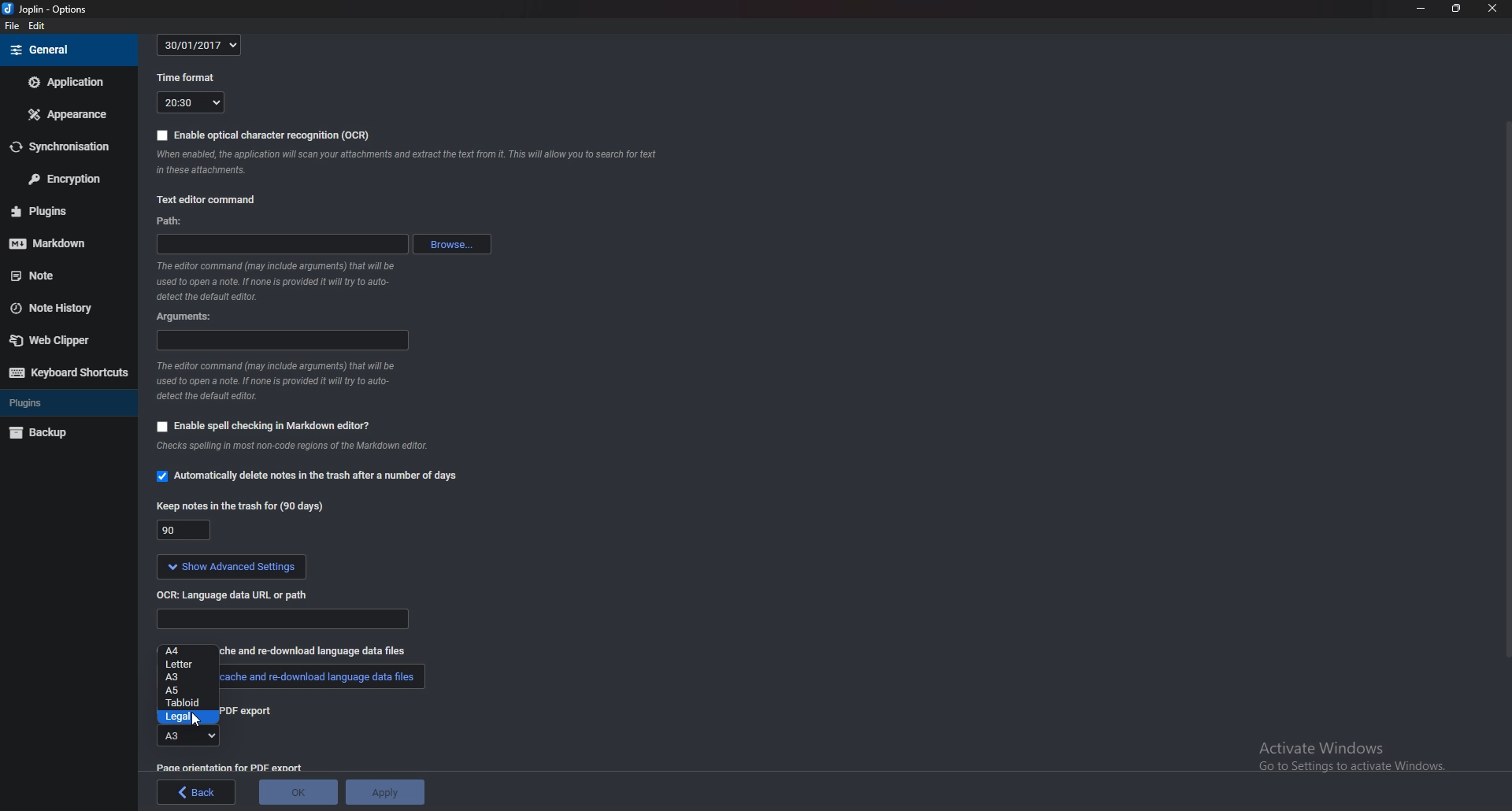  I want to click on info, so click(328, 450).